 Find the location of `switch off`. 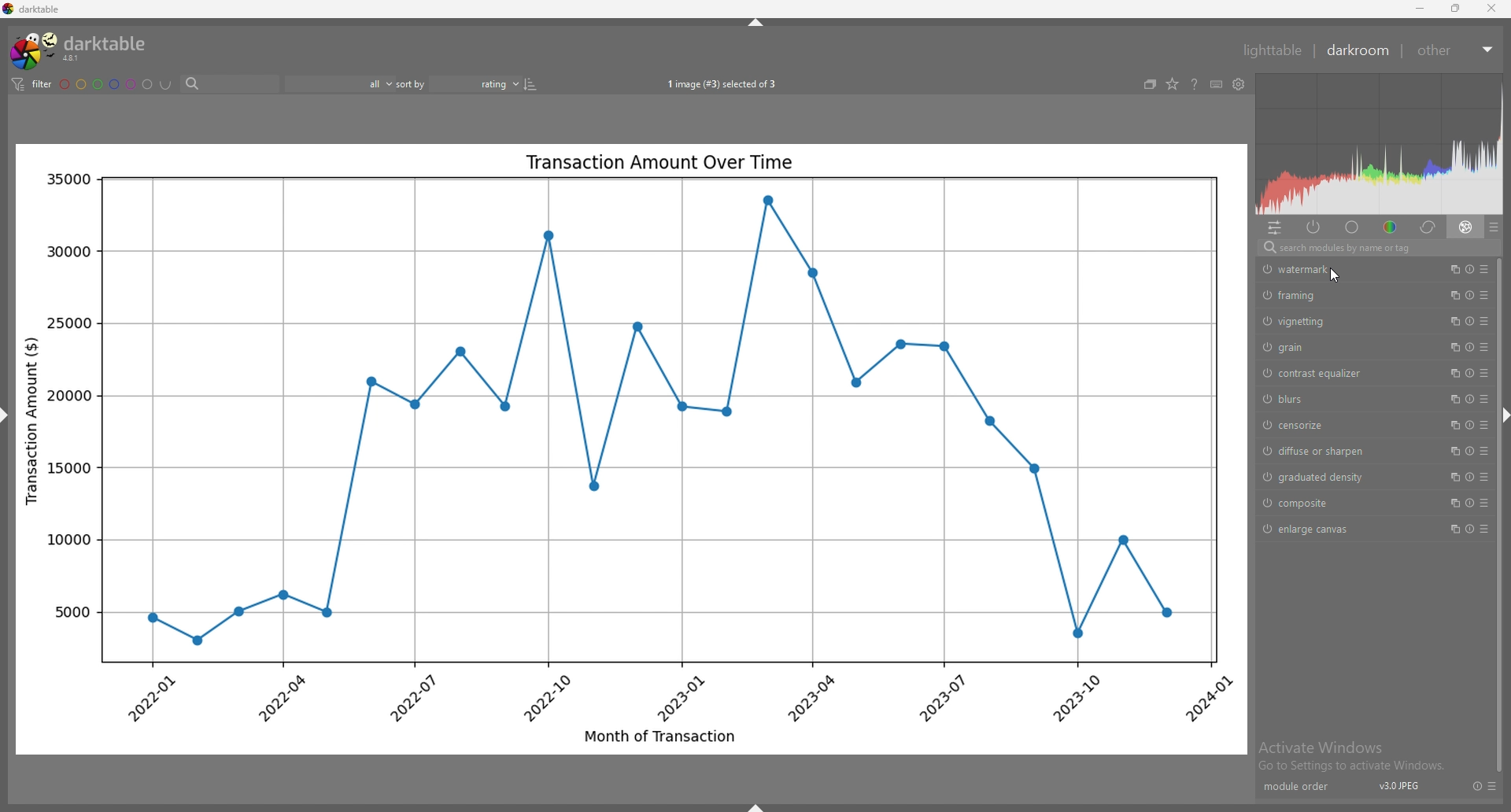

switch off is located at coordinates (1265, 295).